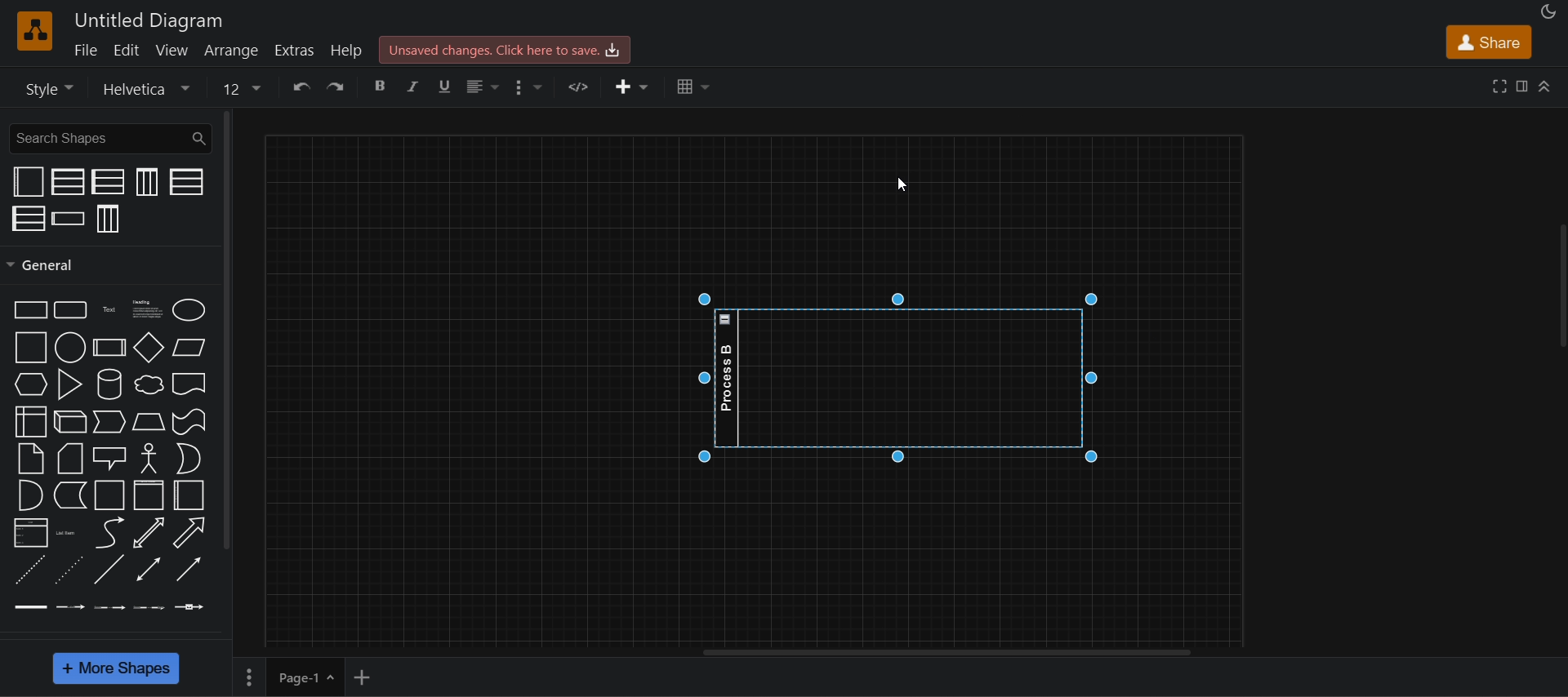 The height and width of the screenshot is (697, 1568). Describe the element at coordinates (29, 309) in the screenshot. I see `rectangle` at that location.